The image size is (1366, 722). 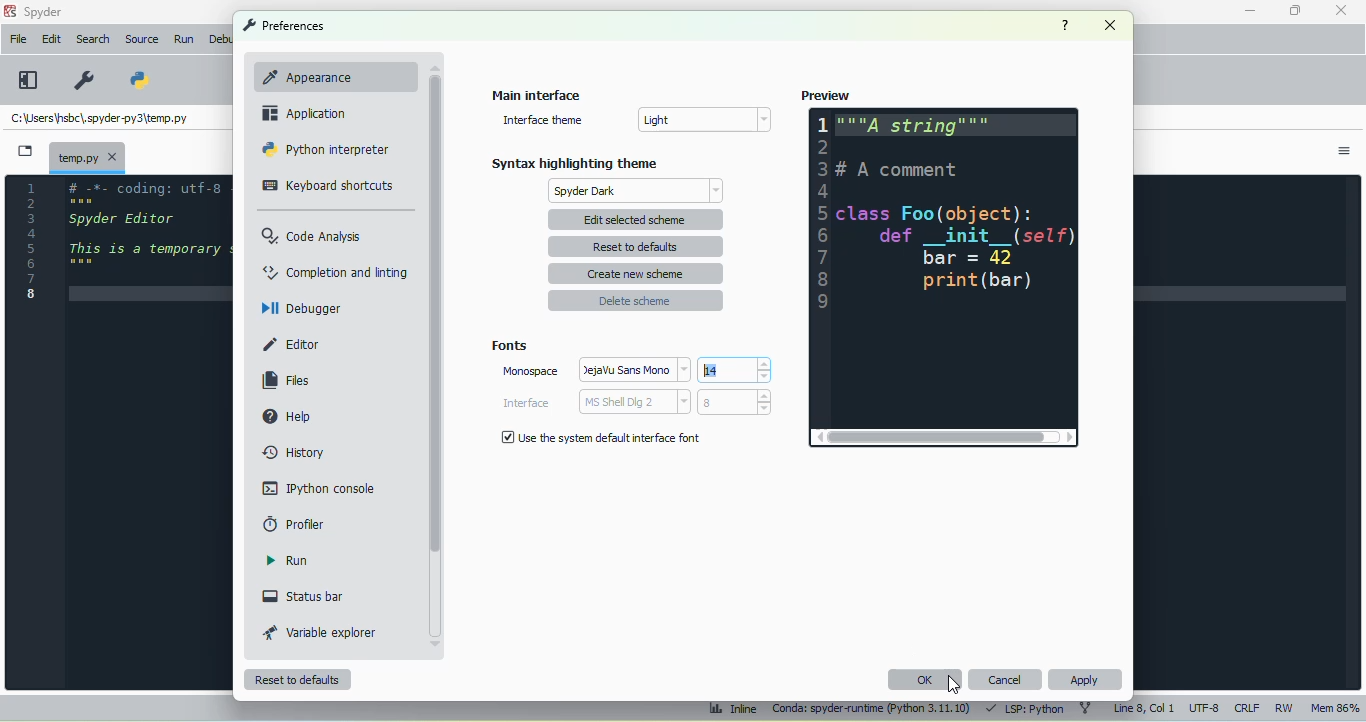 I want to click on completion and linting, so click(x=336, y=271).